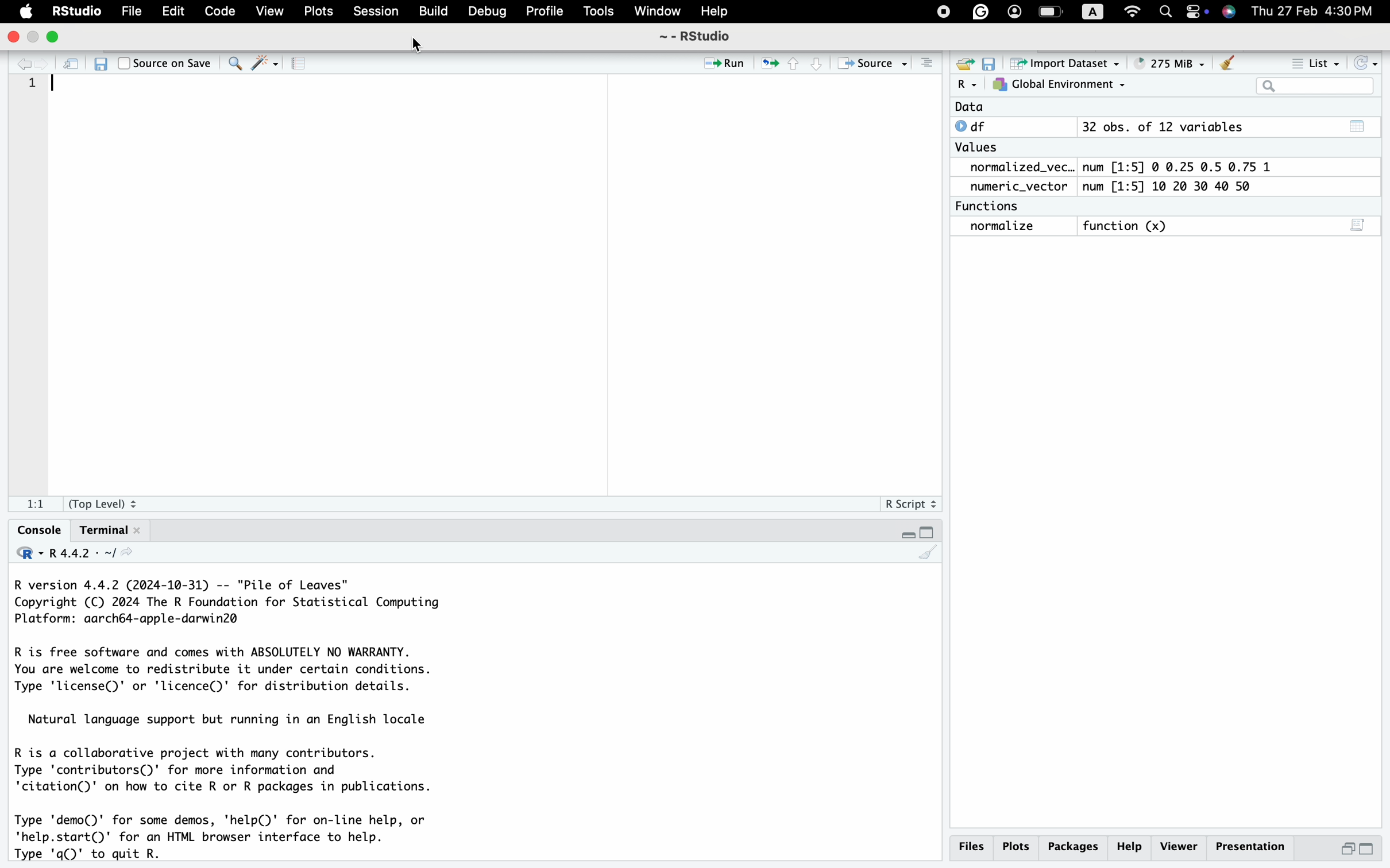 The width and height of the screenshot is (1390, 868). Describe the element at coordinates (1249, 847) in the screenshot. I see `presentation` at that location.